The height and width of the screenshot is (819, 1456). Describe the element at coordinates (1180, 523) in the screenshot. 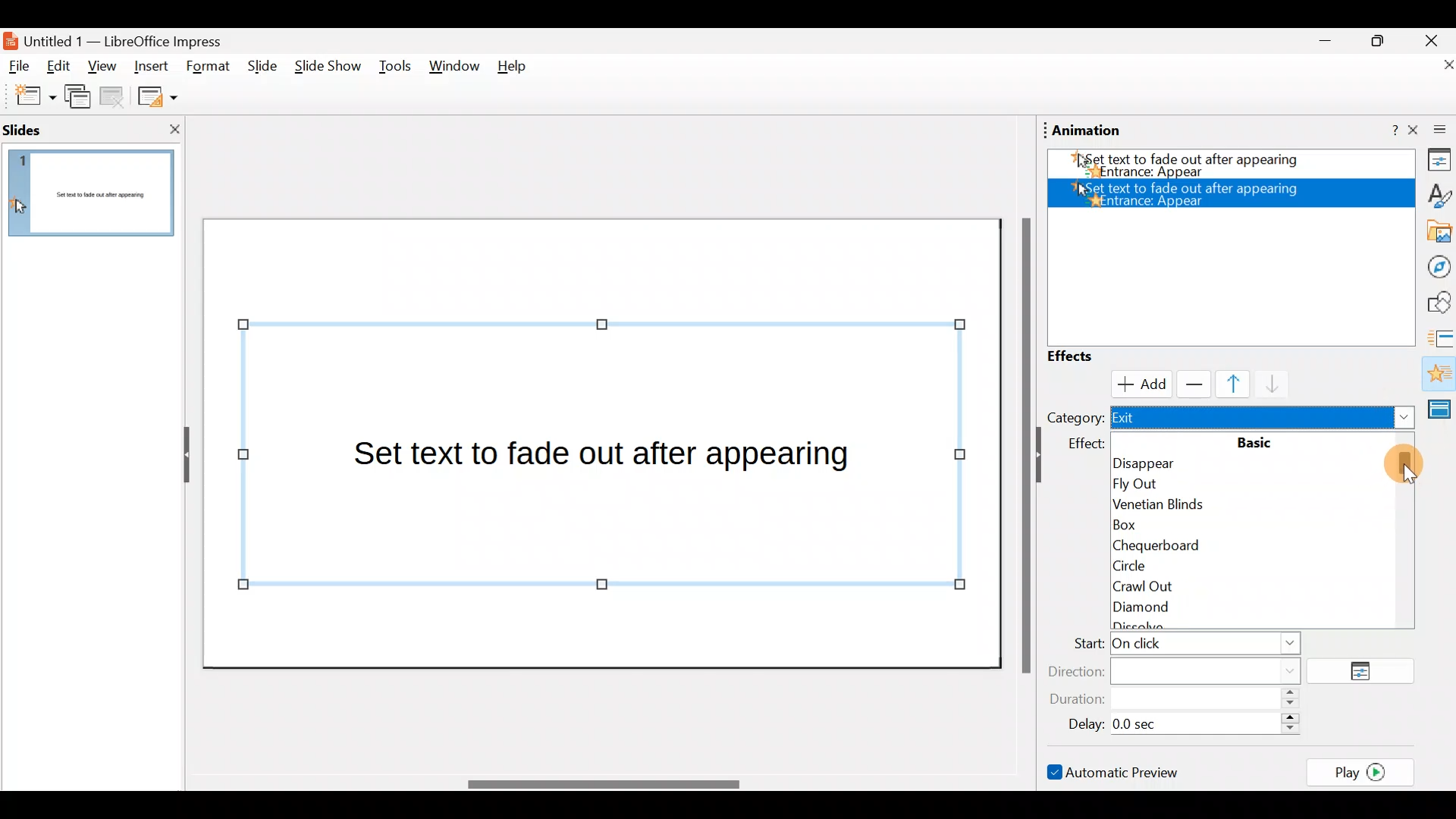

I see `Box` at that location.